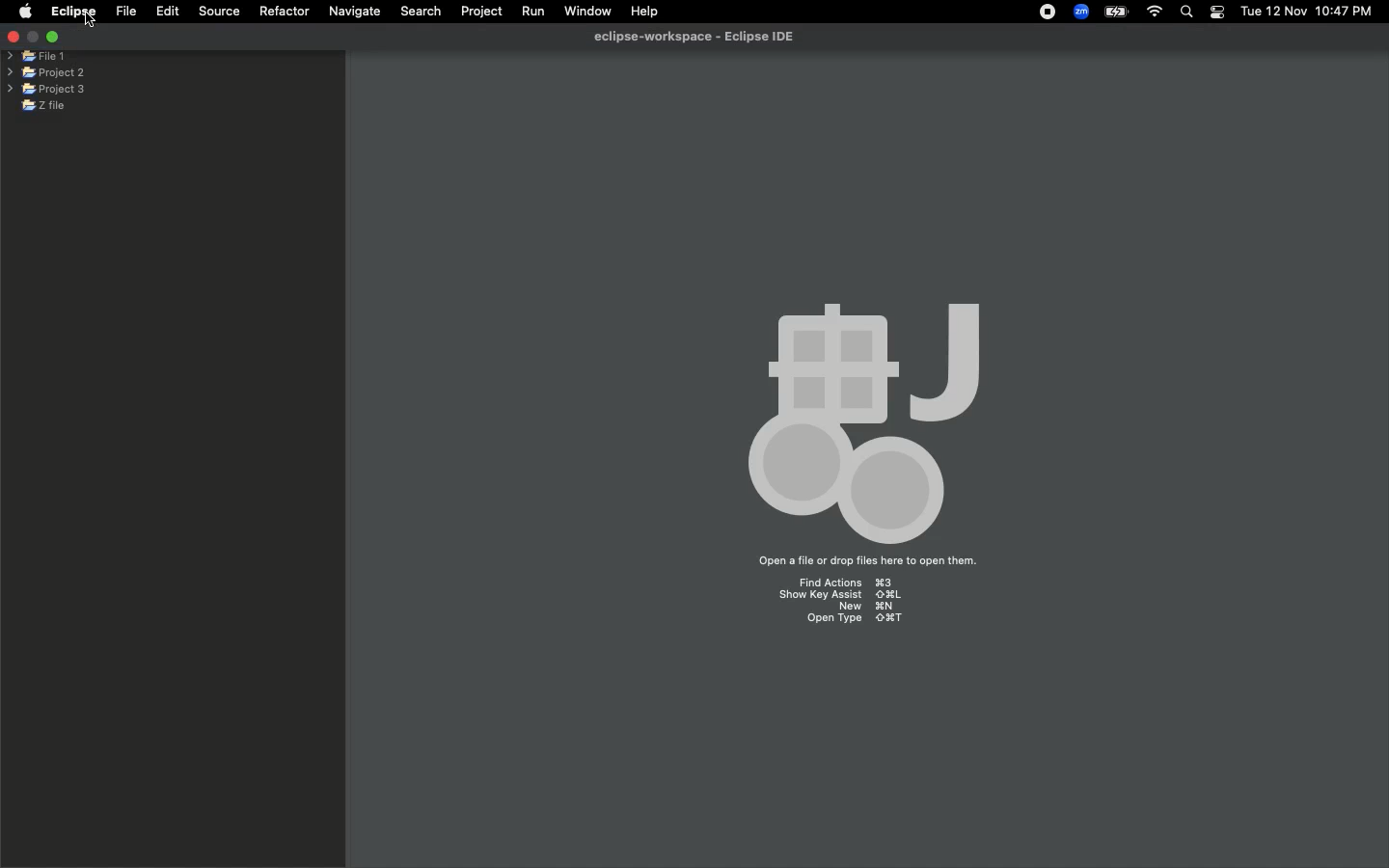  What do you see at coordinates (46, 90) in the screenshot?
I see `Project 3` at bounding box center [46, 90].